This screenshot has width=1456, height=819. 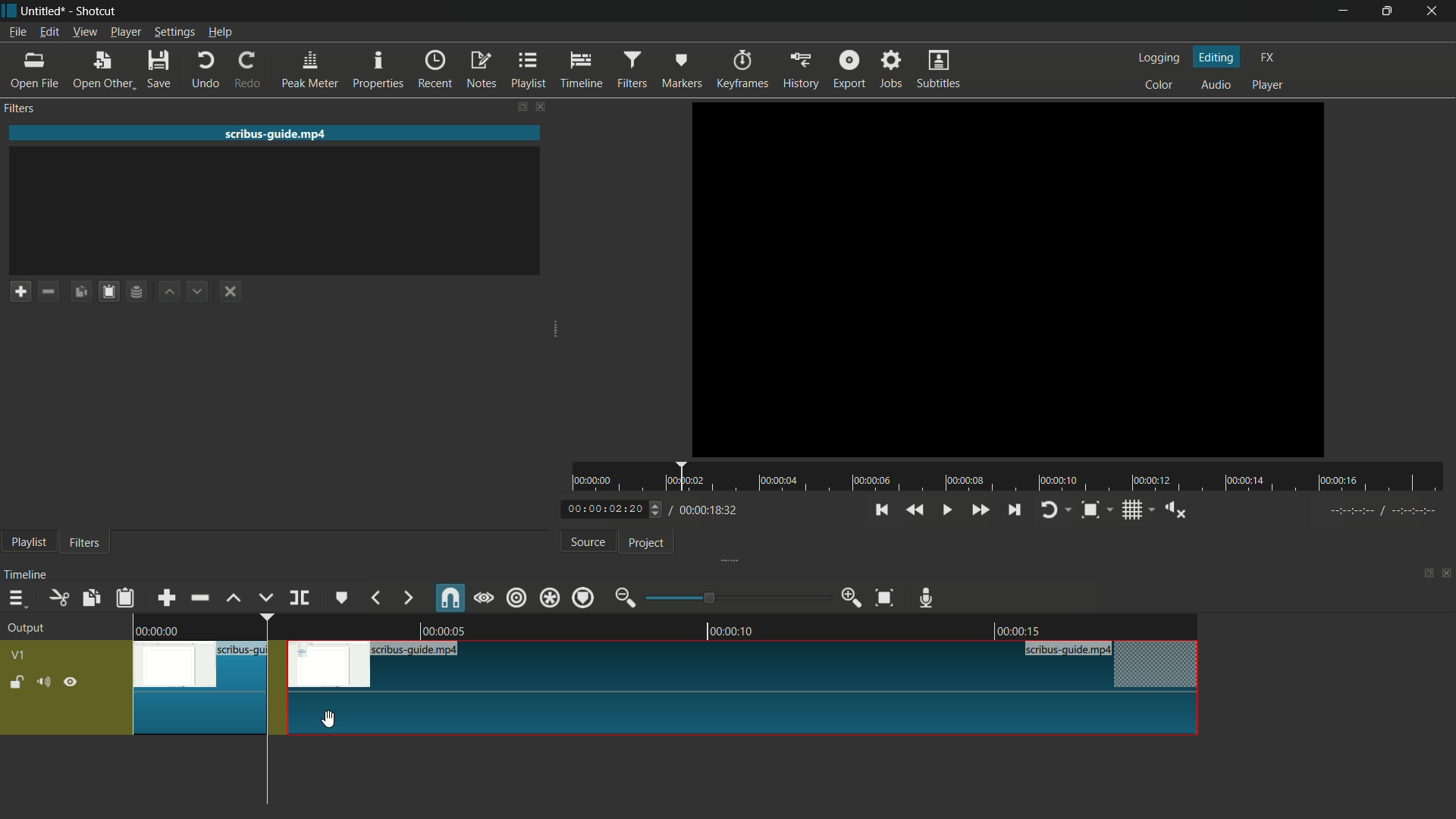 What do you see at coordinates (588, 542) in the screenshot?
I see `source` at bounding box center [588, 542].